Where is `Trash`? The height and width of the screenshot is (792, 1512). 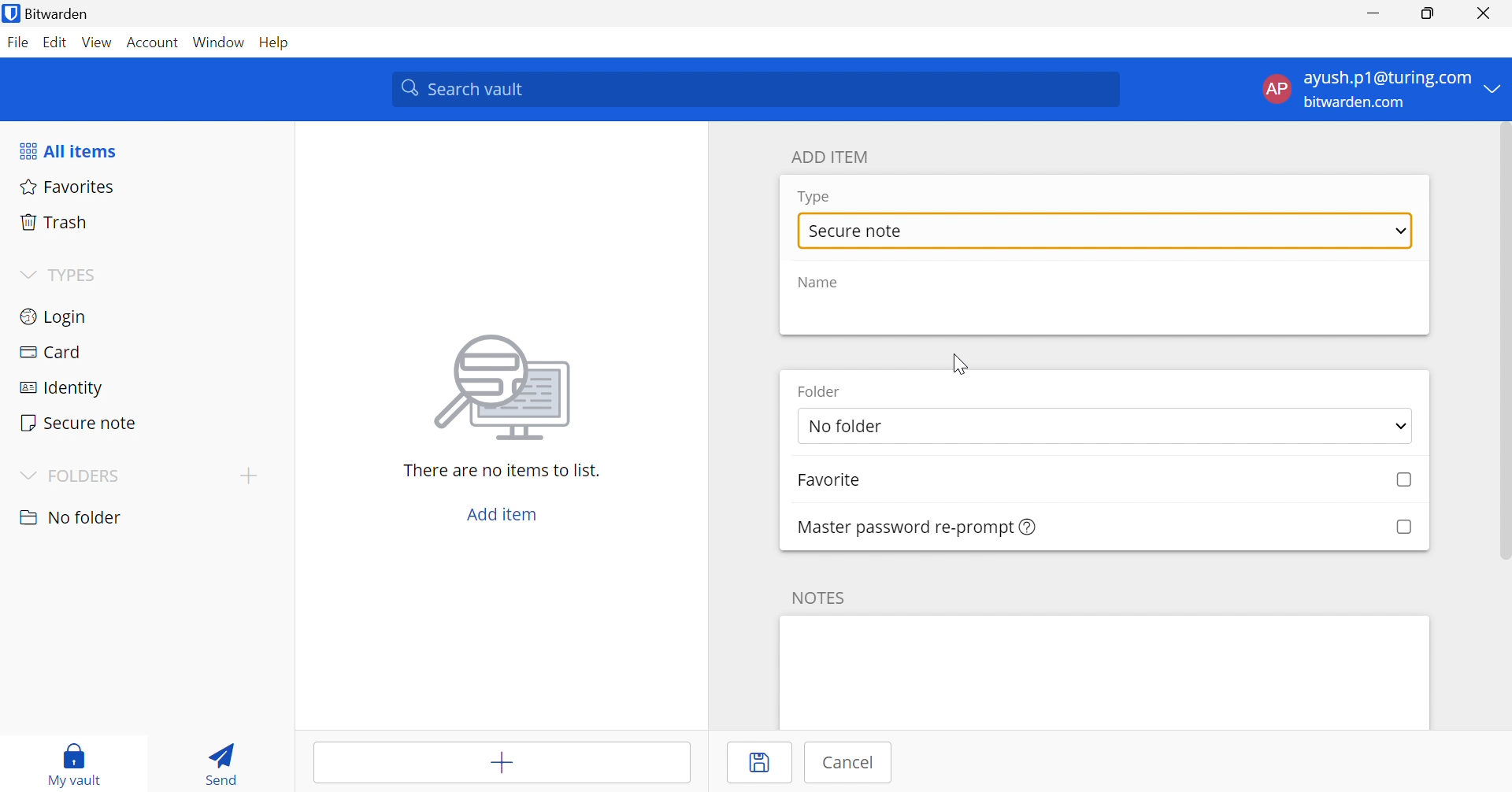
Trash is located at coordinates (147, 221).